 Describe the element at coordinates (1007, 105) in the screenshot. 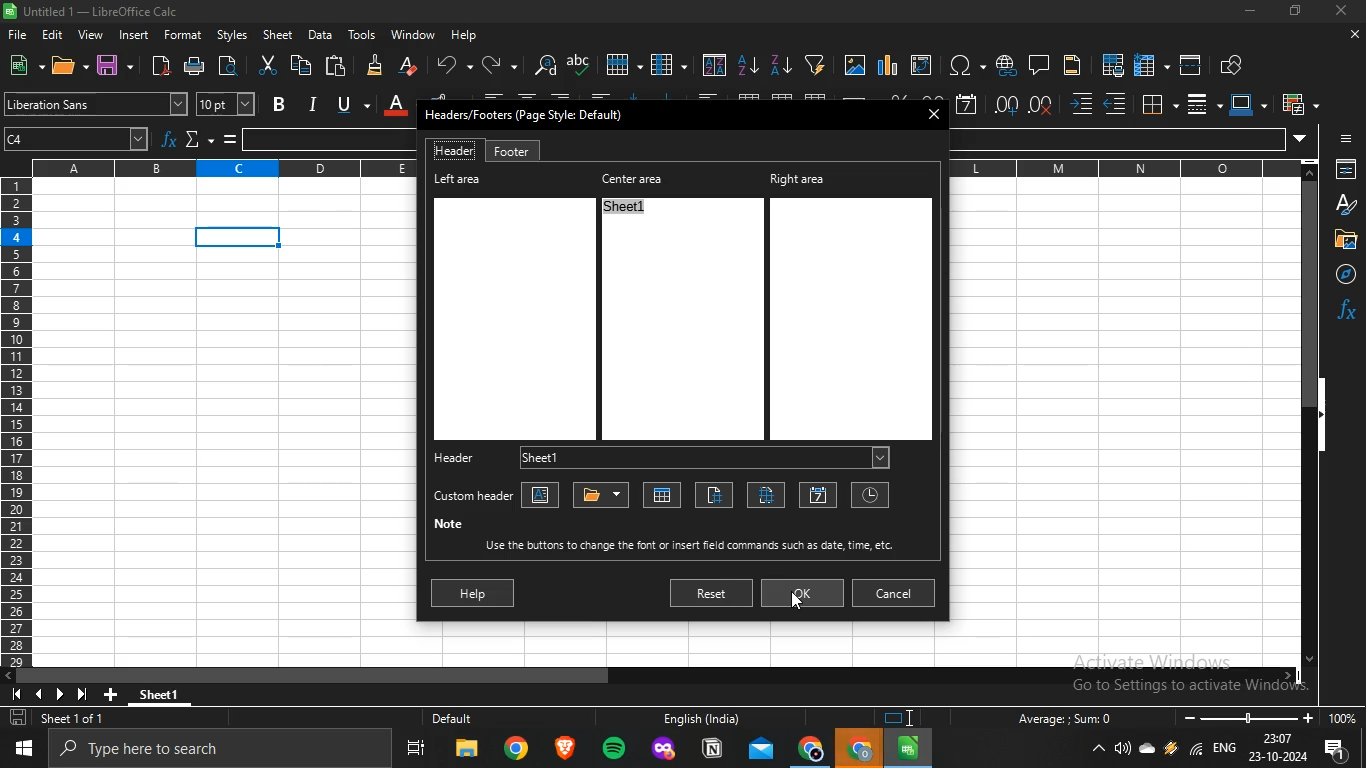

I see `add decimal place` at that location.